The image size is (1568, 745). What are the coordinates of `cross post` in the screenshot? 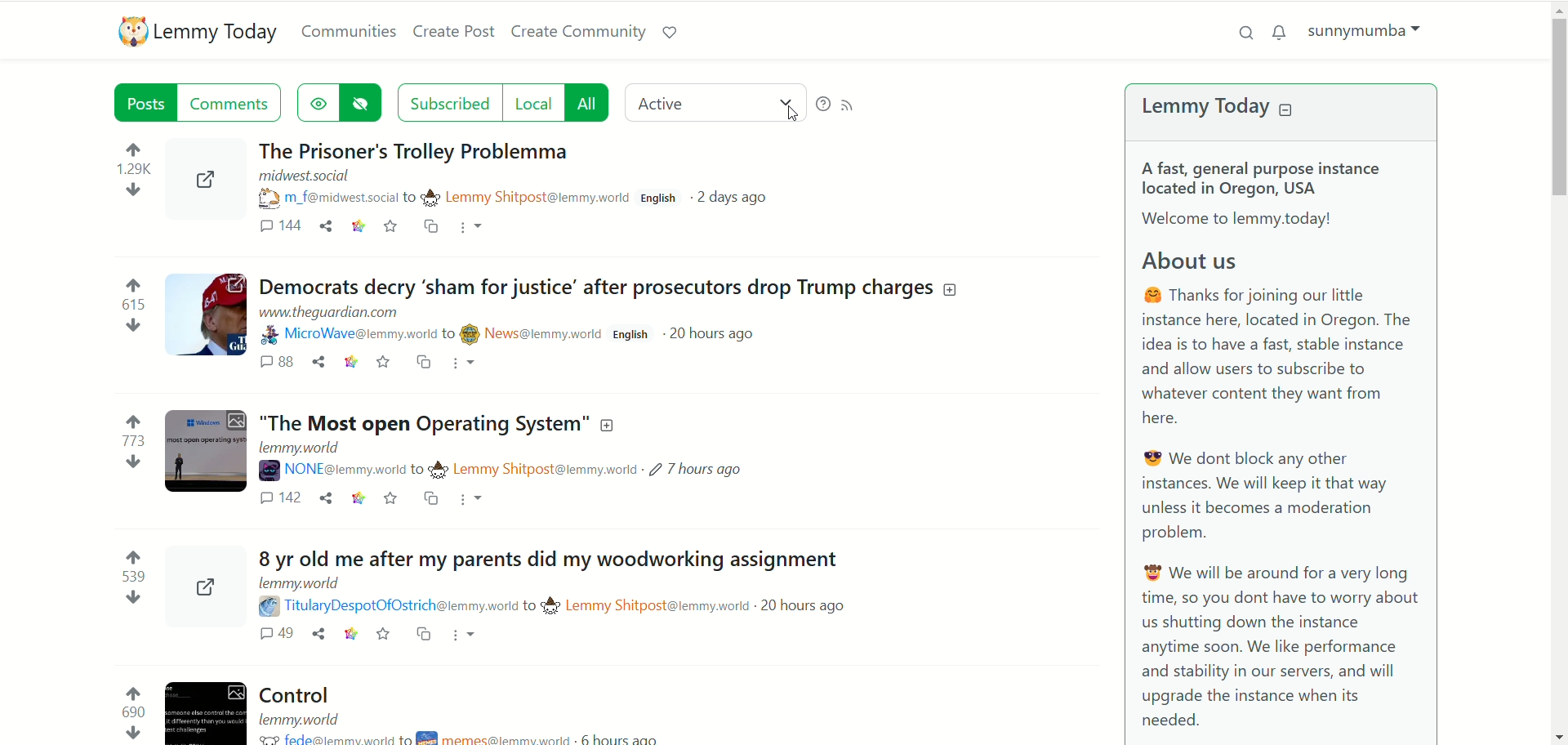 It's located at (434, 503).